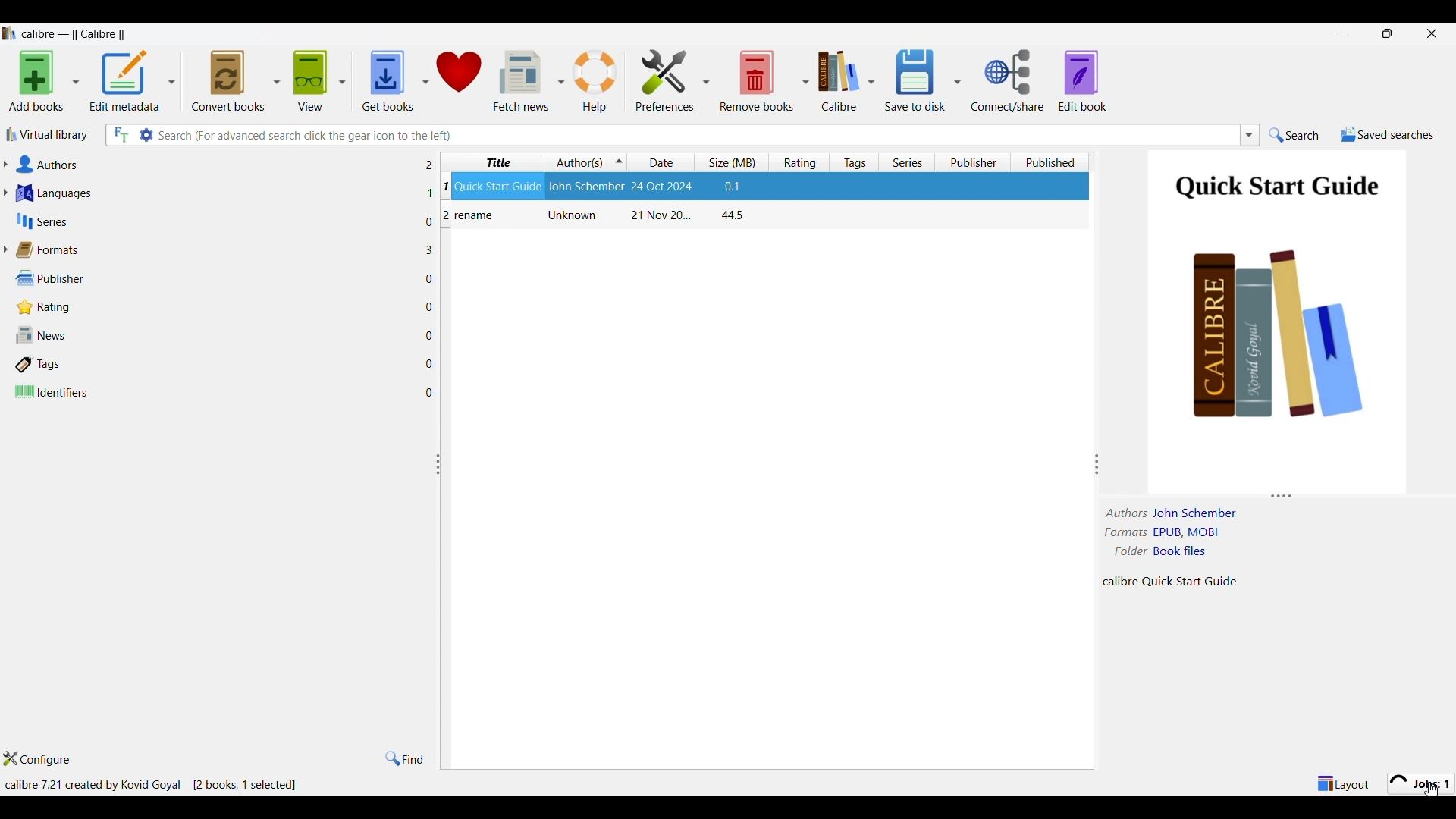  I want to click on Preview of selected file, so click(1276, 314).